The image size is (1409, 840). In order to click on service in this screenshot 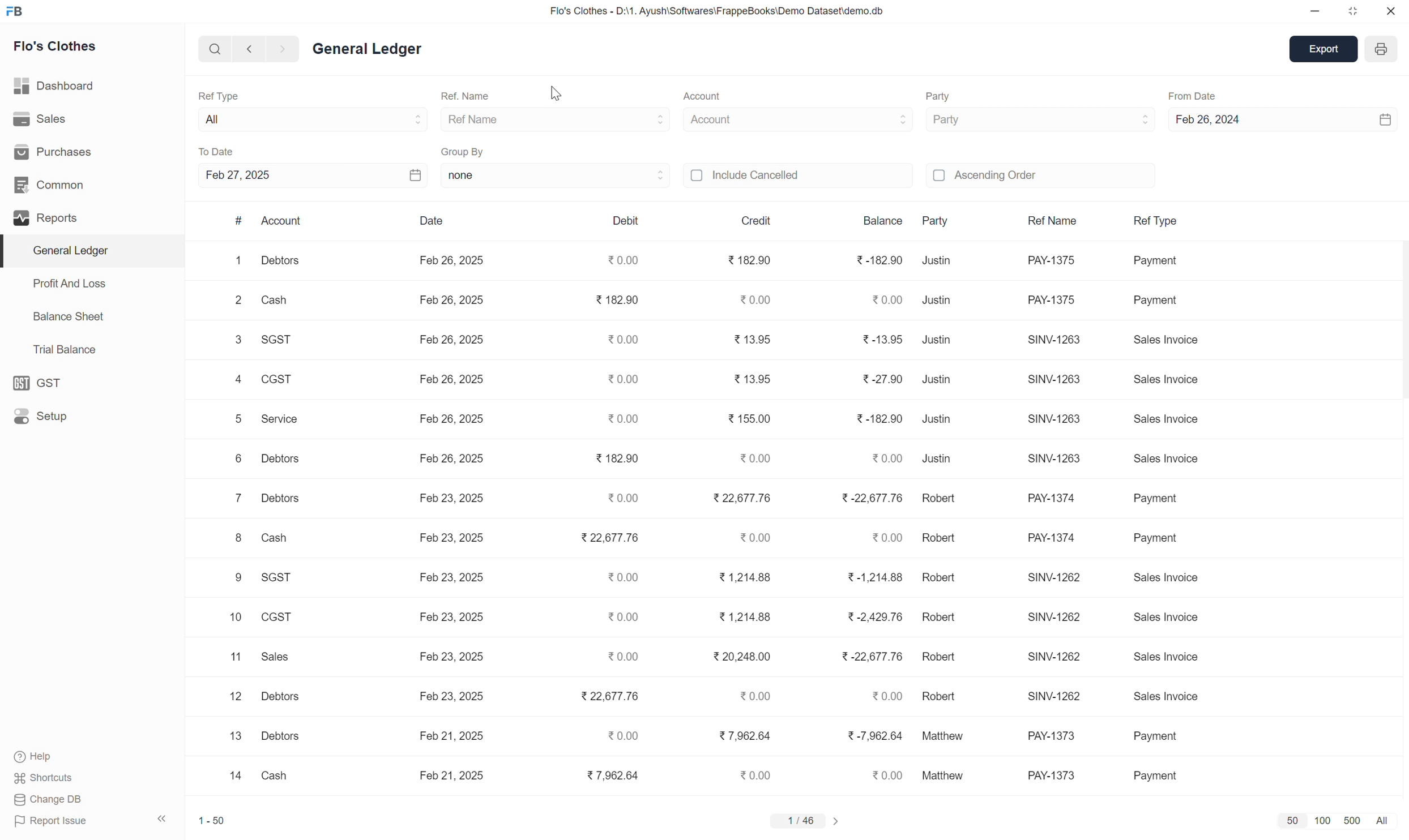, I will do `click(282, 419)`.